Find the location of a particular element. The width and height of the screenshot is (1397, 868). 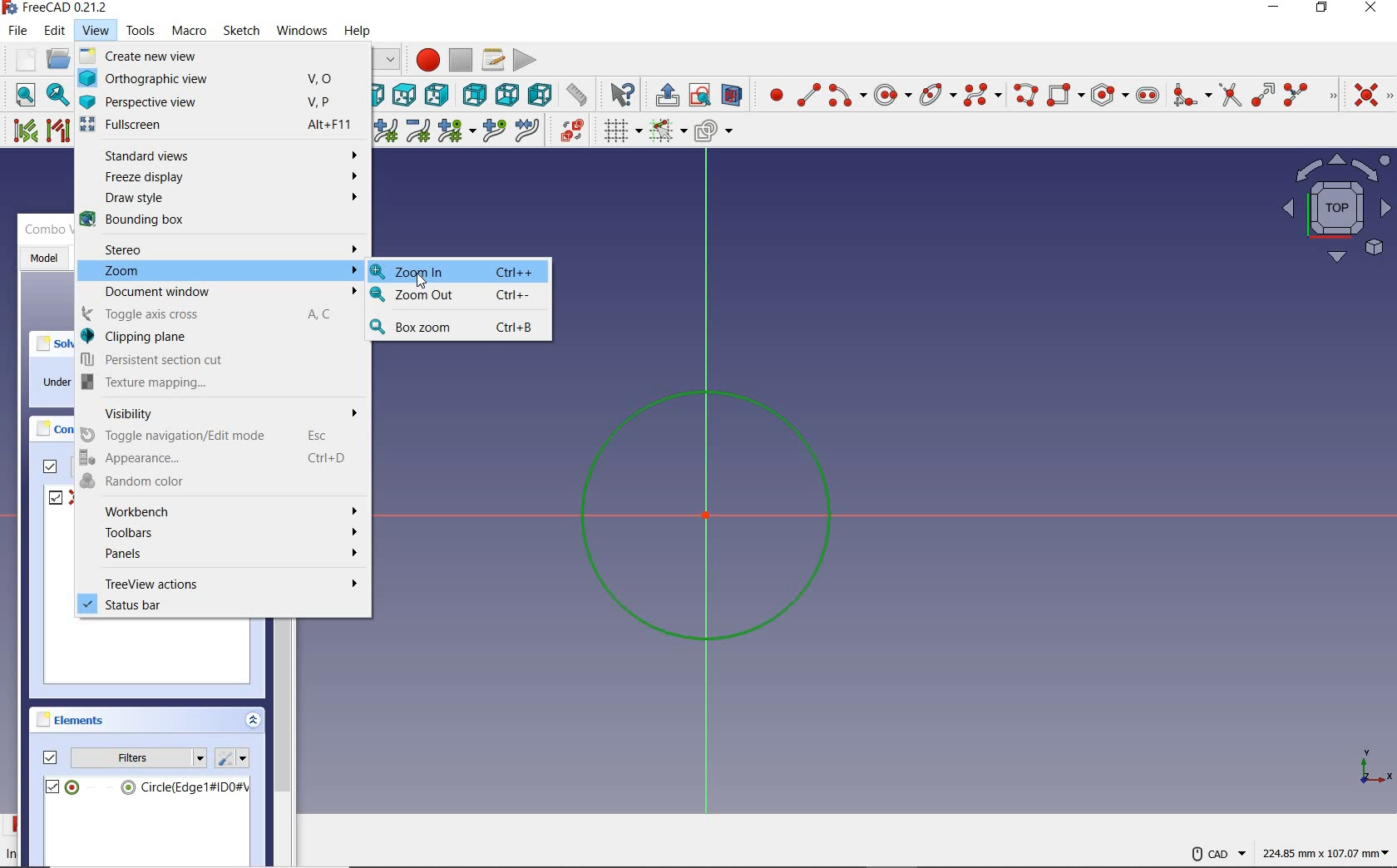

system name is located at coordinates (58, 10).